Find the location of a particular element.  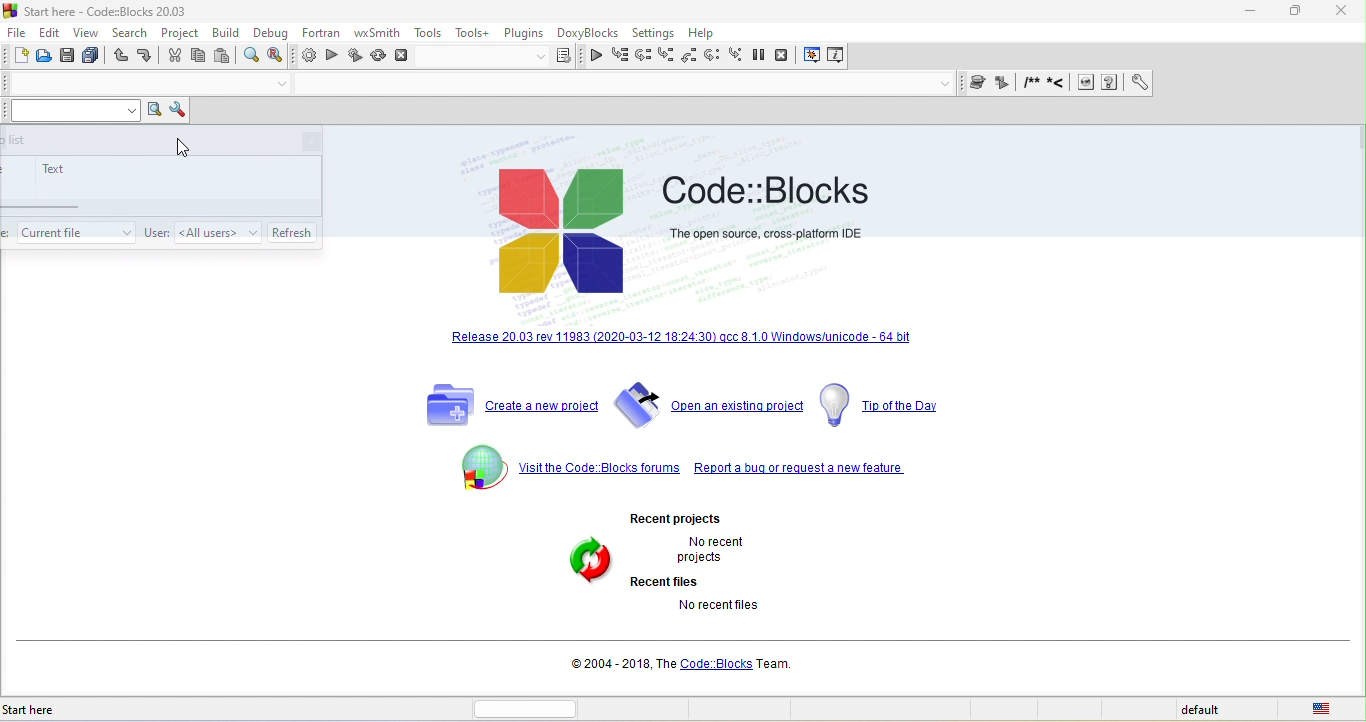

run search is located at coordinates (154, 111).